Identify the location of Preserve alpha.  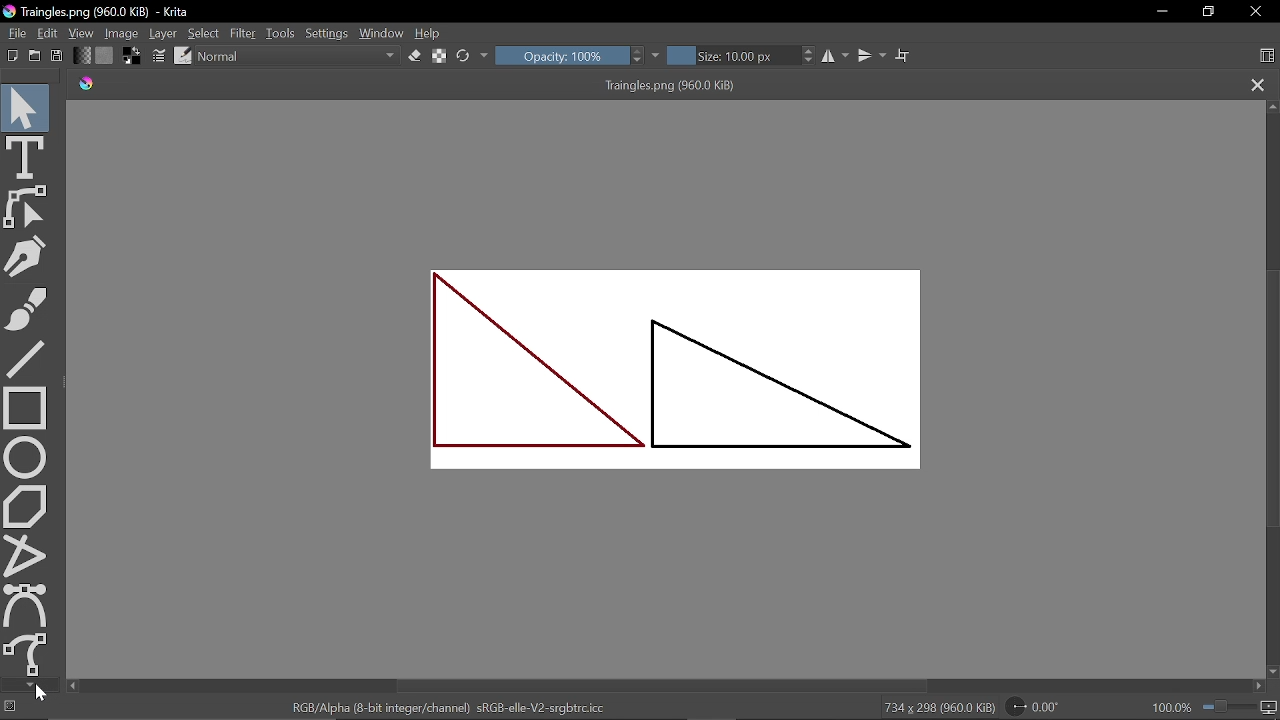
(439, 57).